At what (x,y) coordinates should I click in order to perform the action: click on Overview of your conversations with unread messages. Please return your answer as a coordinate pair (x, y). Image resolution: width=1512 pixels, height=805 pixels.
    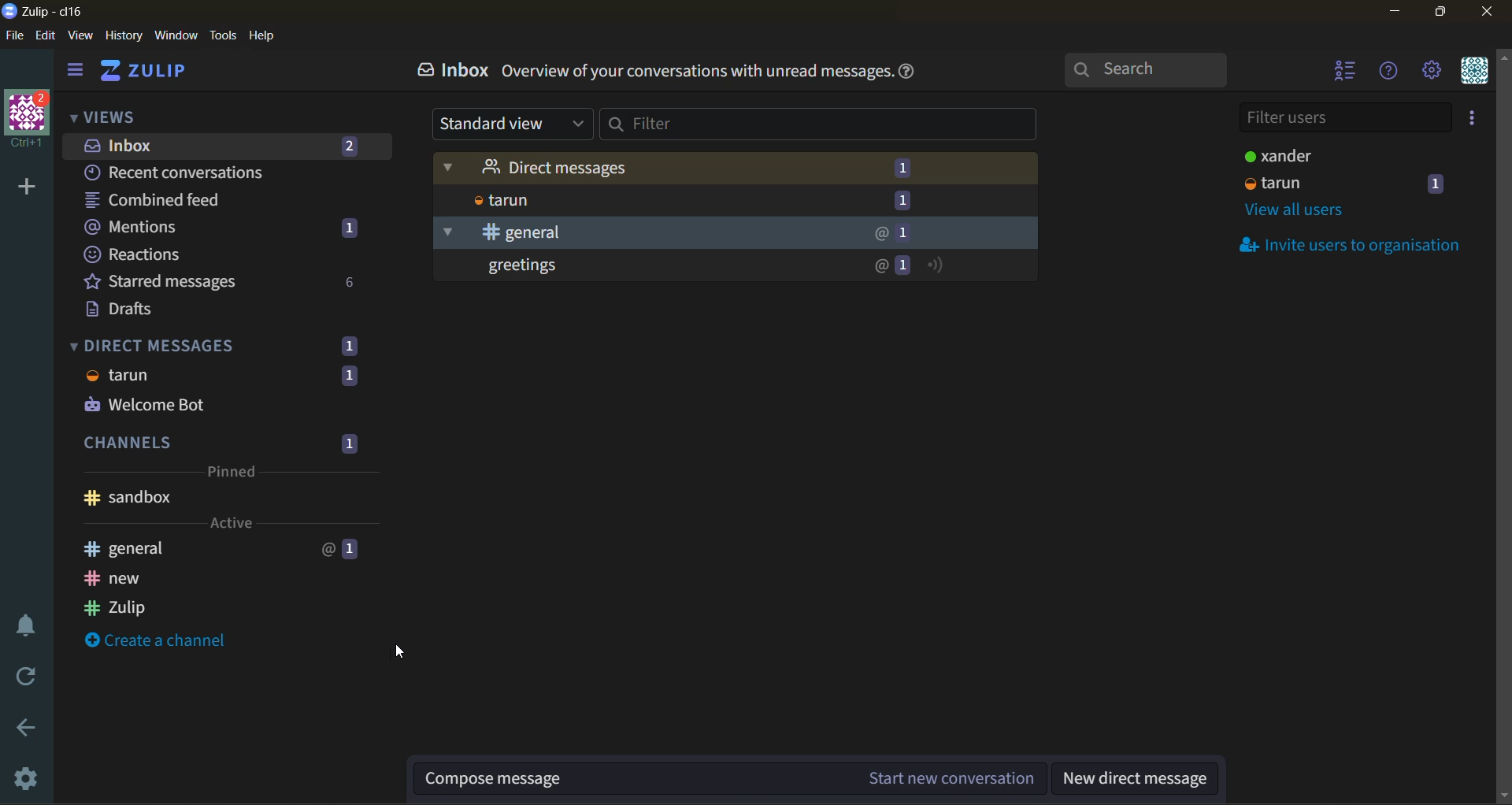
    Looking at the image, I should click on (696, 73).